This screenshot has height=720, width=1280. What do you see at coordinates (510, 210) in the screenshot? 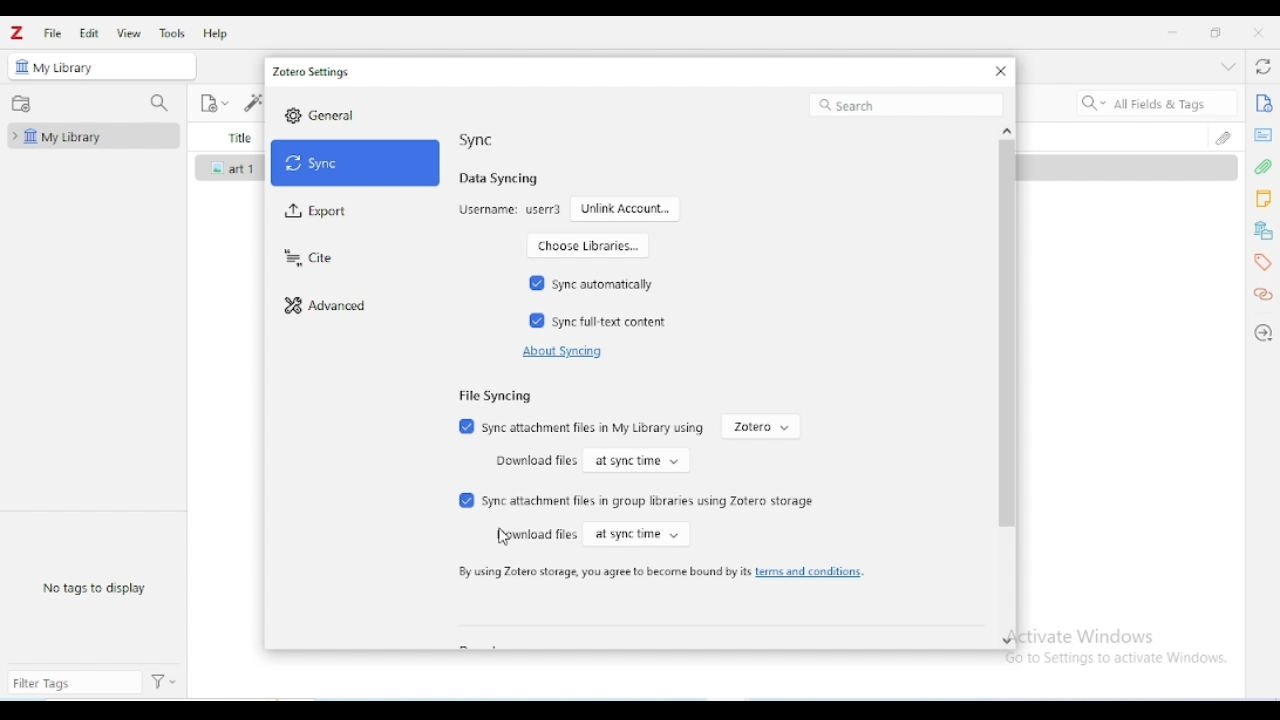
I see `username: user3` at bounding box center [510, 210].